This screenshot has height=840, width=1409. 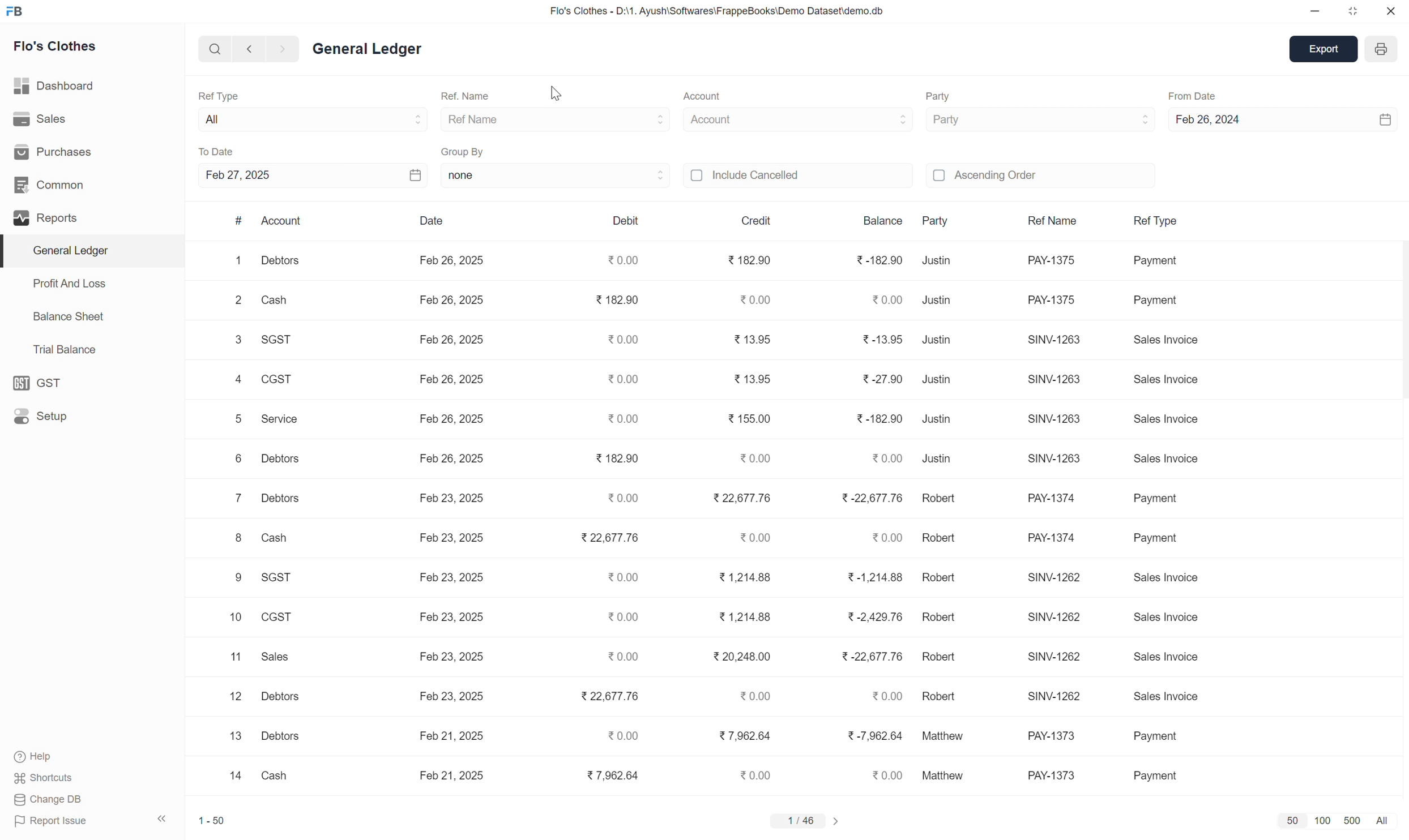 What do you see at coordinates (612, 696) in the screenshot?
I see `22,677.76` at bounding box center [612, 696].